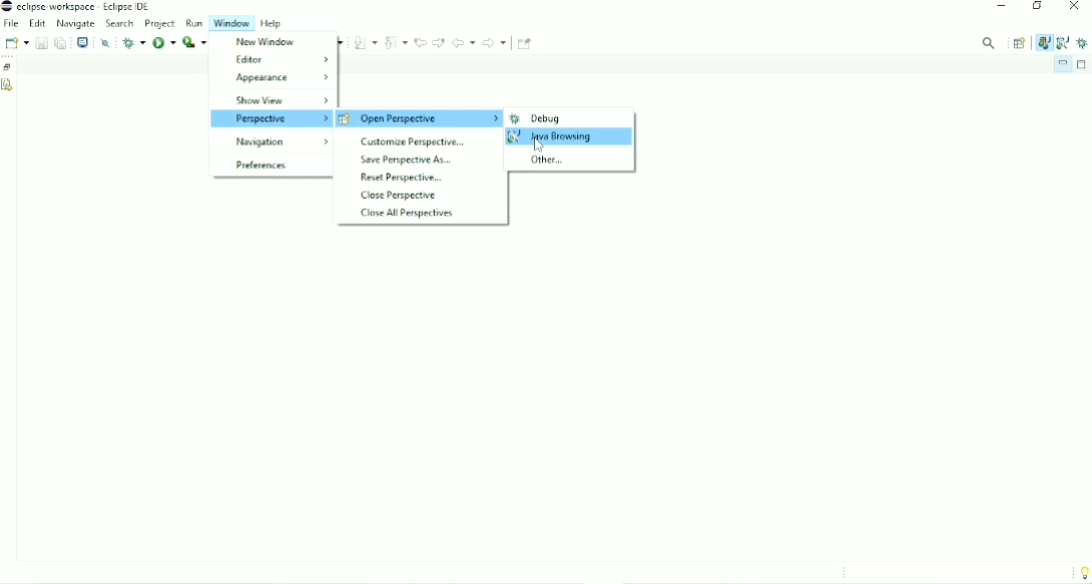 Image resolution: width=1092 pixels, height=584 pixels. What do you see at coordinates (60, 42) in the screenshot?
I see `Save all` at bounding box center [60, 42].